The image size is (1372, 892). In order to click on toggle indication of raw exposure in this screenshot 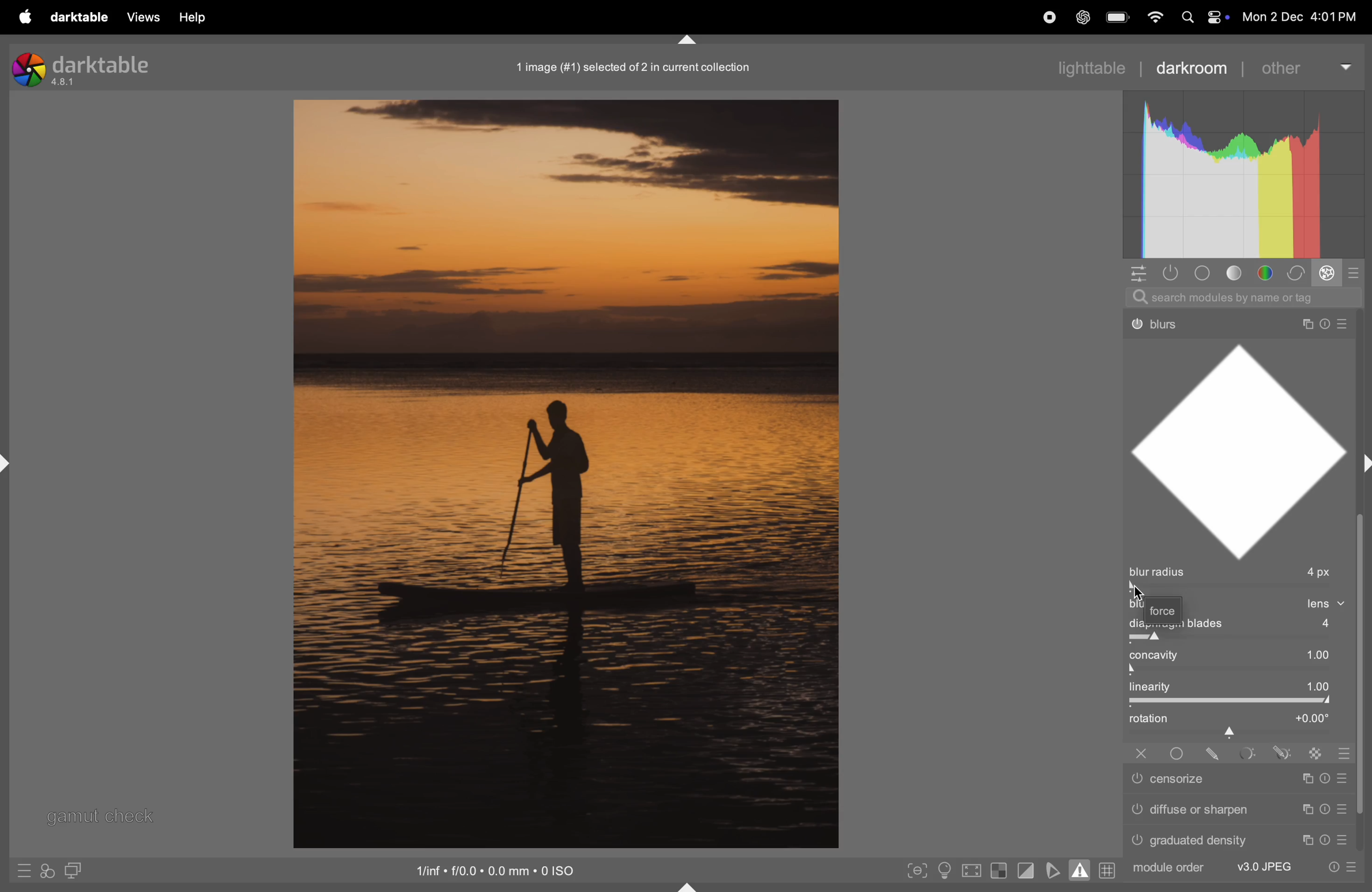, I will do `click(1000, 871)`.